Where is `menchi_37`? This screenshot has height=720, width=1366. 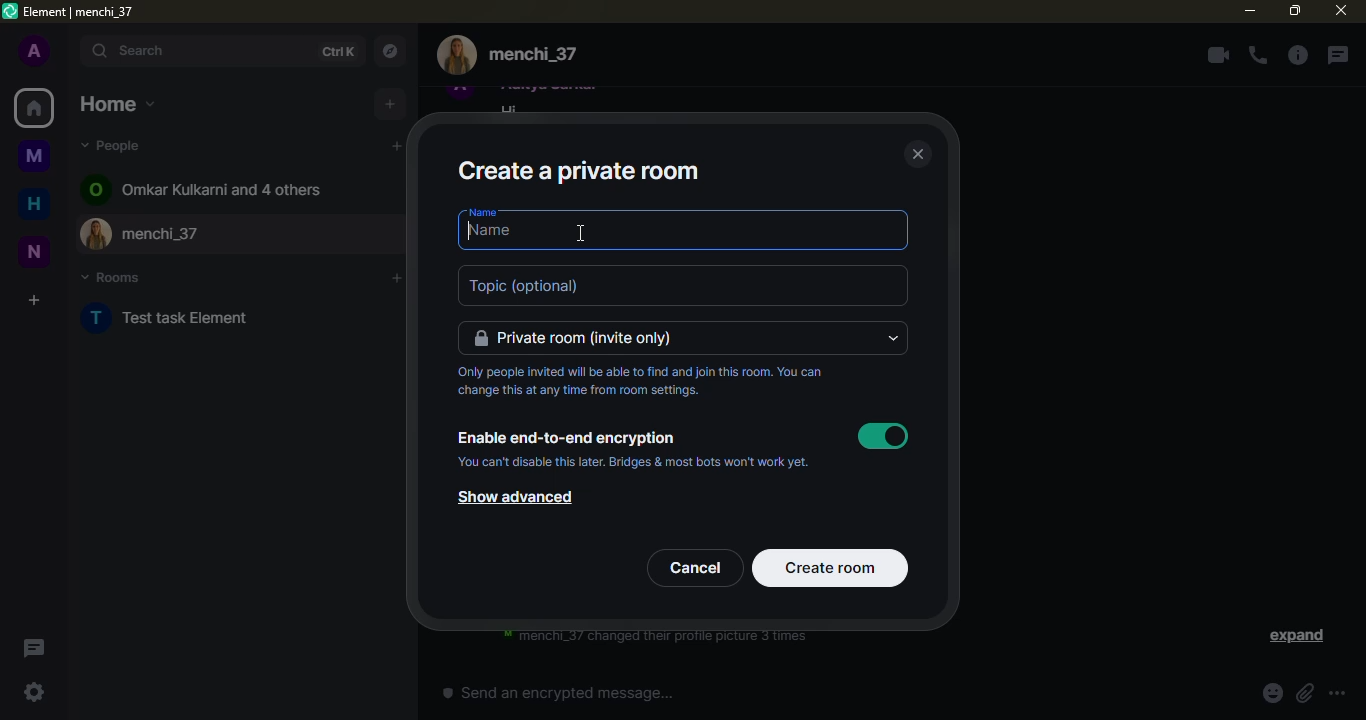 menchi_37 is located at coordinates (264, 234).